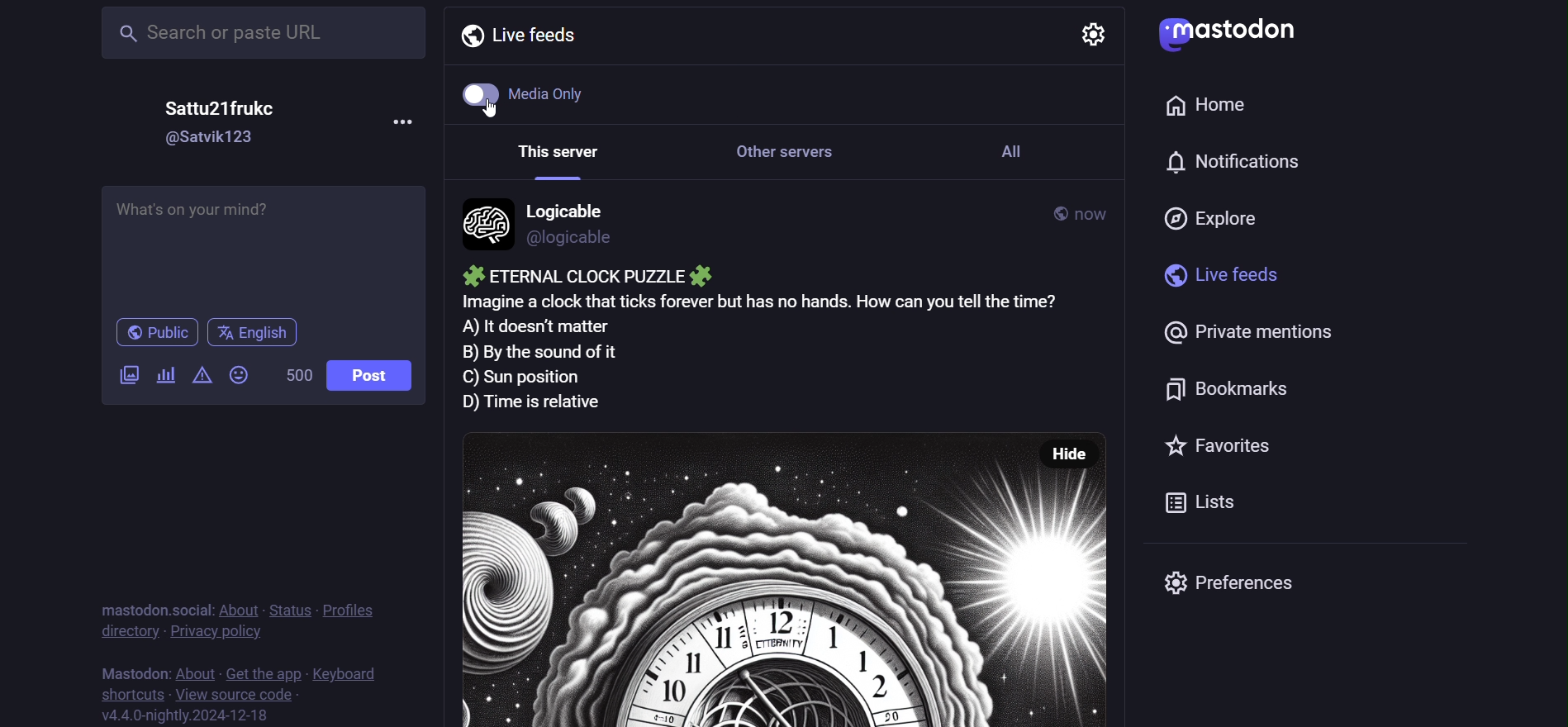 The width and height of the screenshot is (1568, 727). I want to click on live feed, so click(520, 34).